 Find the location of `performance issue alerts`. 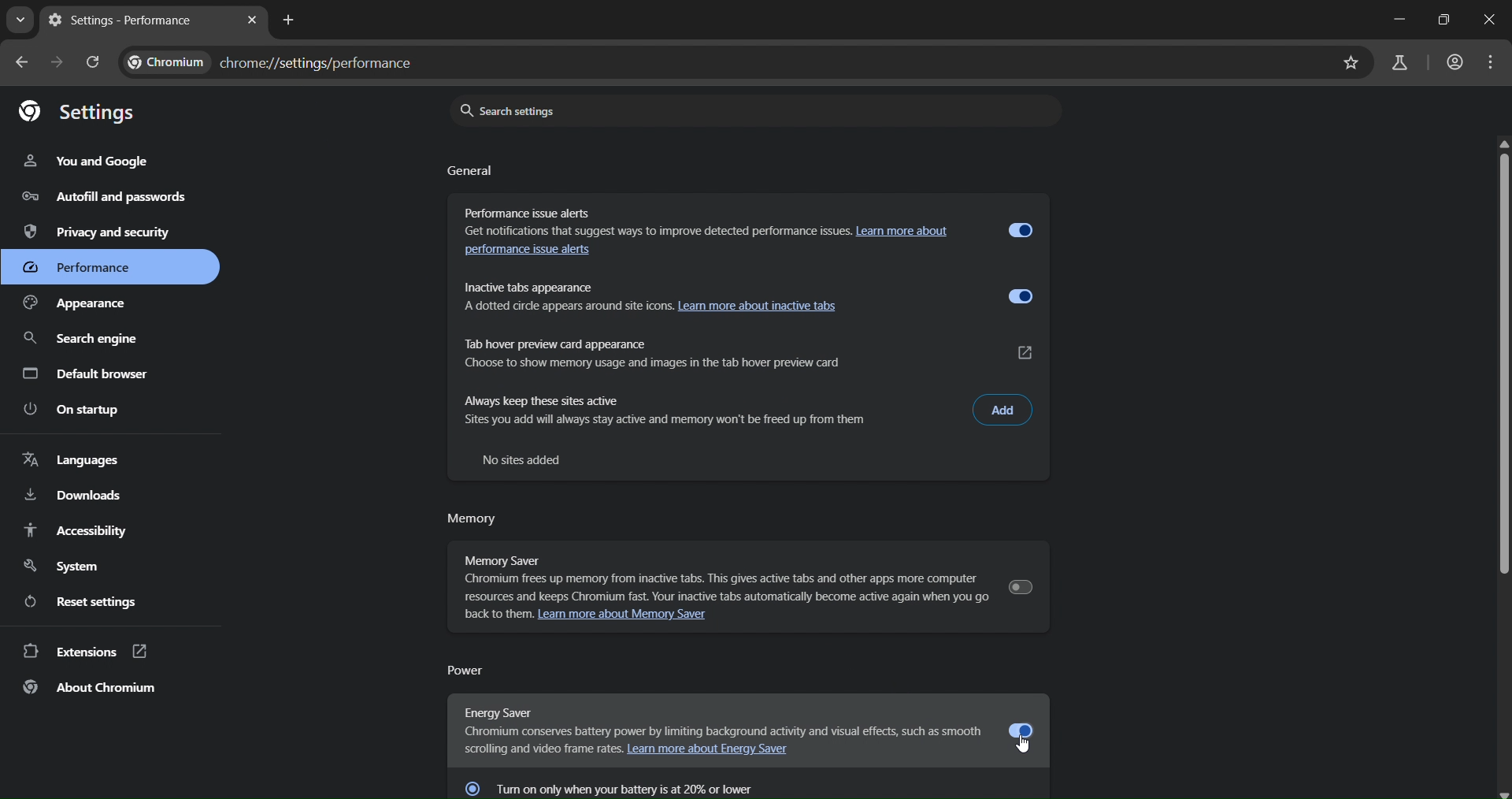

performance issue alerts is located at coordinates (701, 219).